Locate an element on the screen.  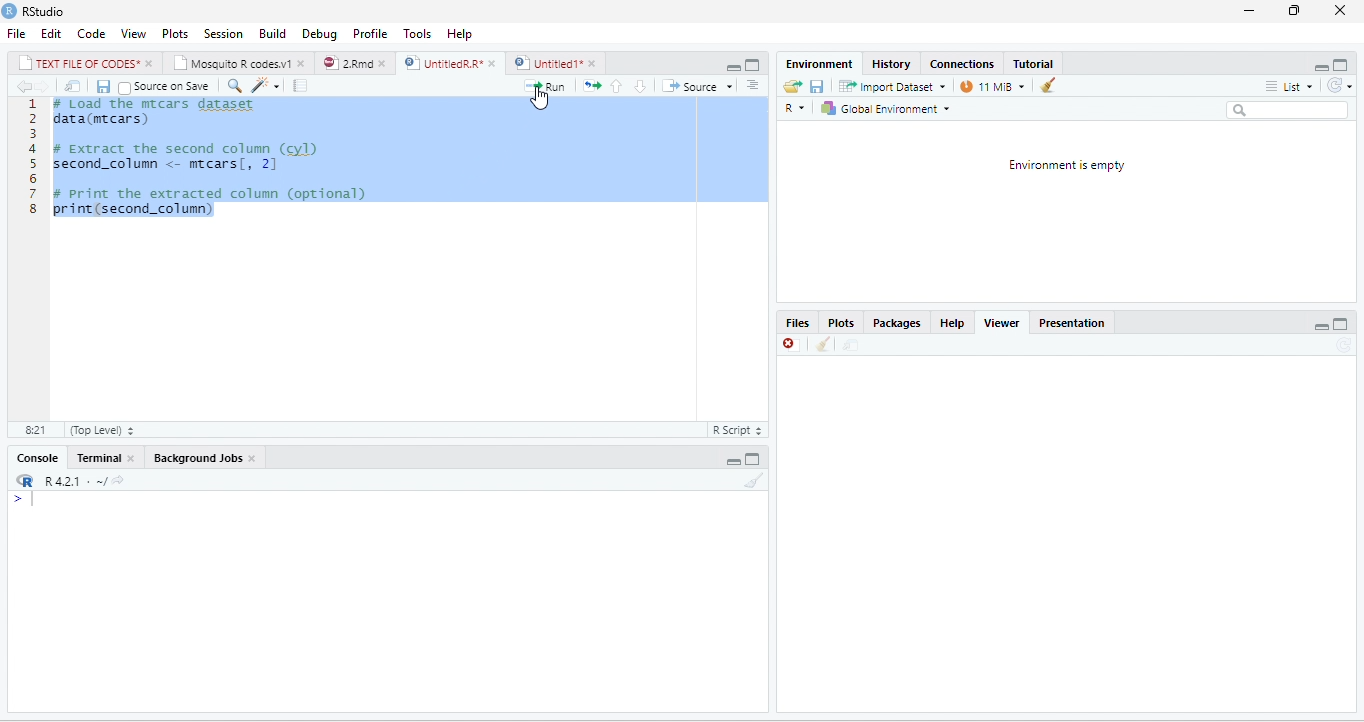
RStudio is located at coordinates (50, 12).